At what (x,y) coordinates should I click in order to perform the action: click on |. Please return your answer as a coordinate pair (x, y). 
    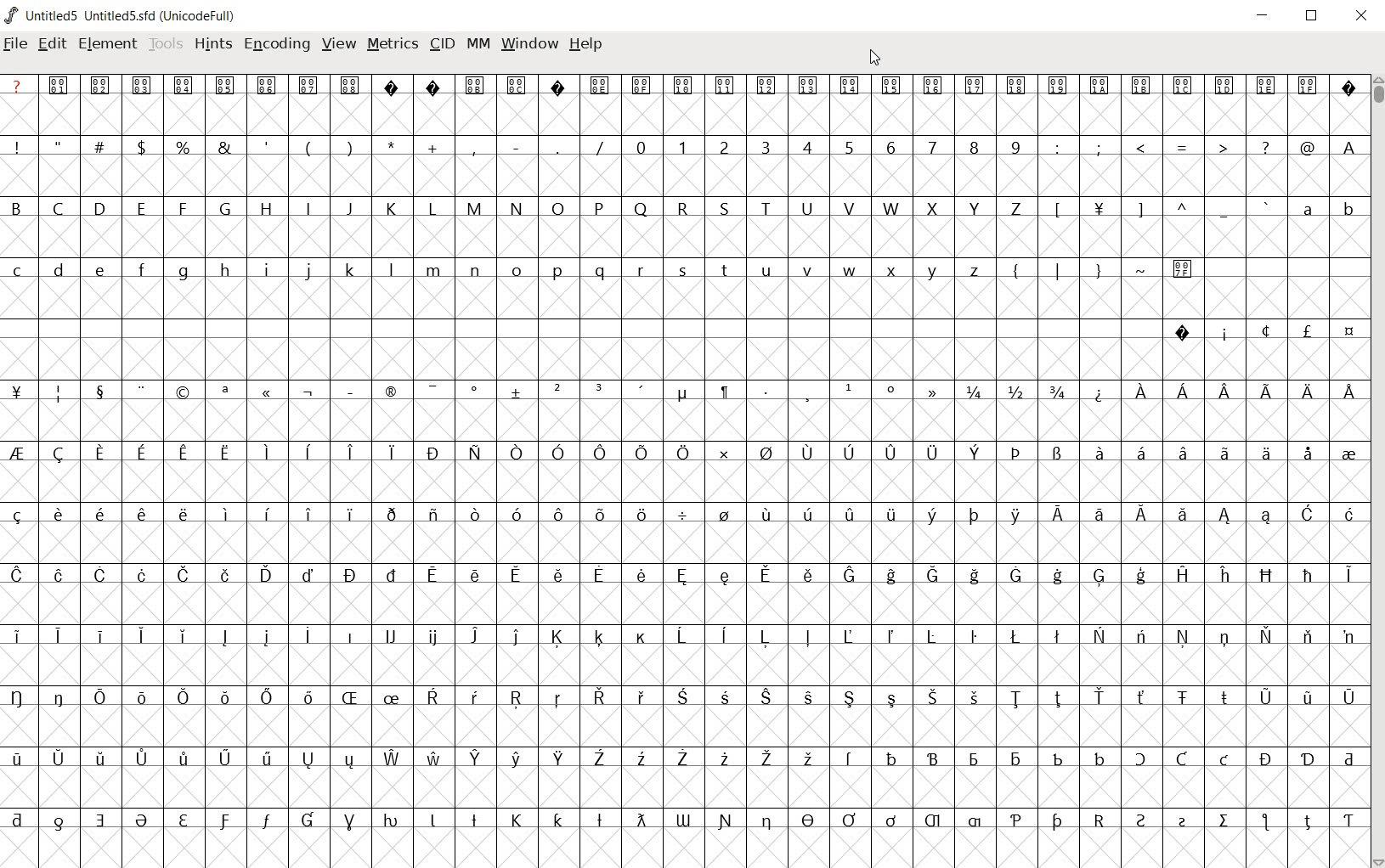
    Looking at the image, I should click on (1054, 269).